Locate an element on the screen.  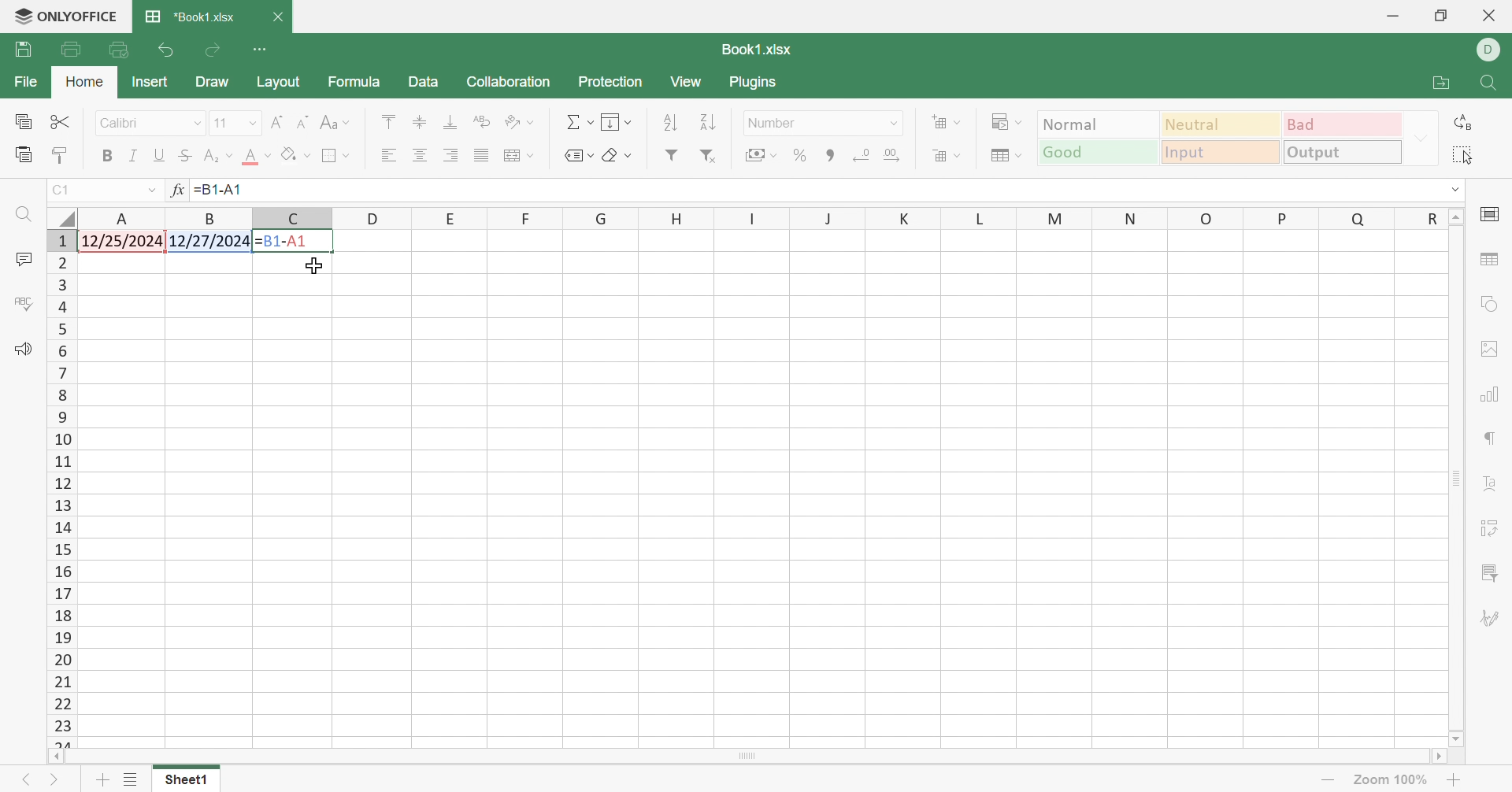
Scroll Down is located at coordinates (1454, 741).